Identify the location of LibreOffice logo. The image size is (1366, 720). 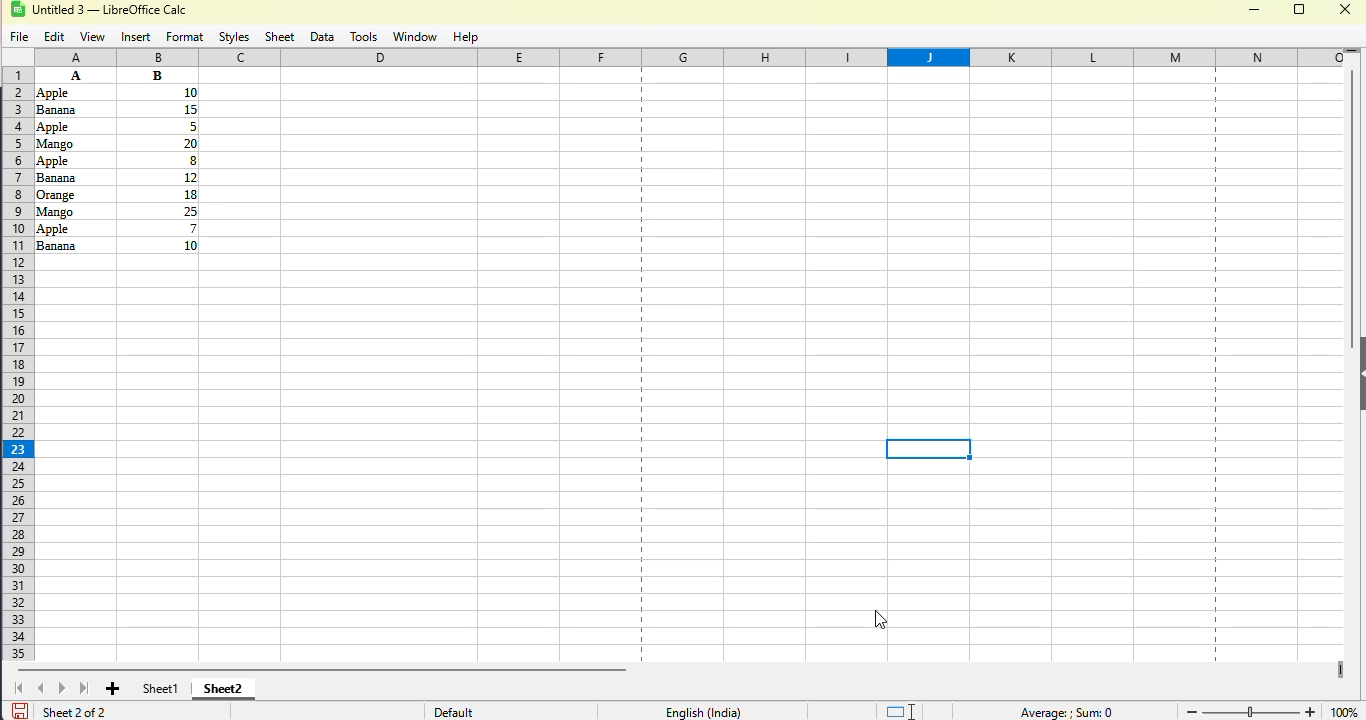
(29, 9).